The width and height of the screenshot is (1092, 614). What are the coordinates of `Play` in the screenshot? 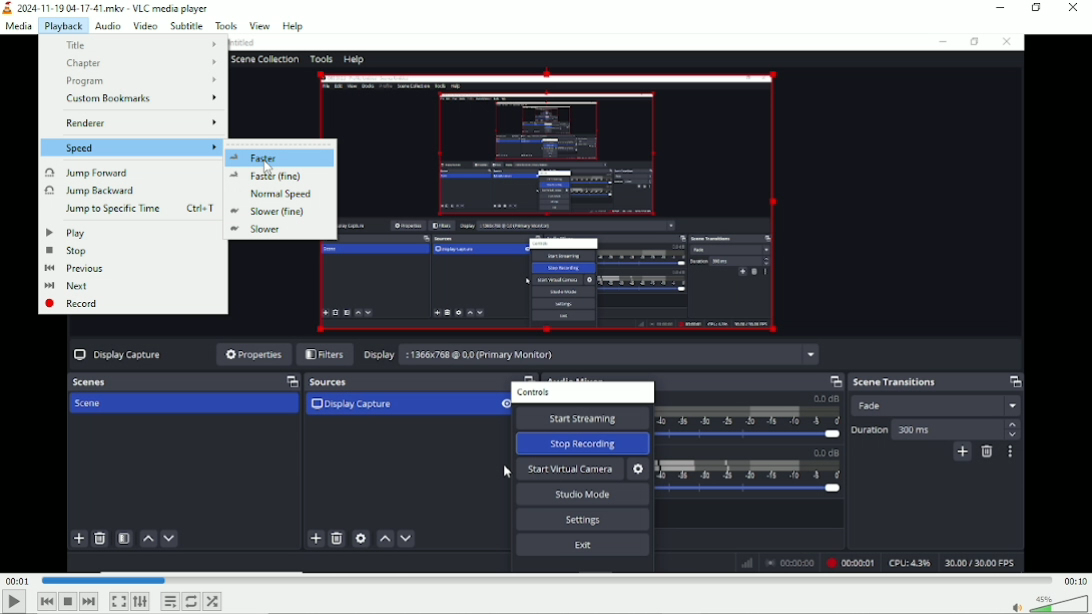 It's located at (13, 605).